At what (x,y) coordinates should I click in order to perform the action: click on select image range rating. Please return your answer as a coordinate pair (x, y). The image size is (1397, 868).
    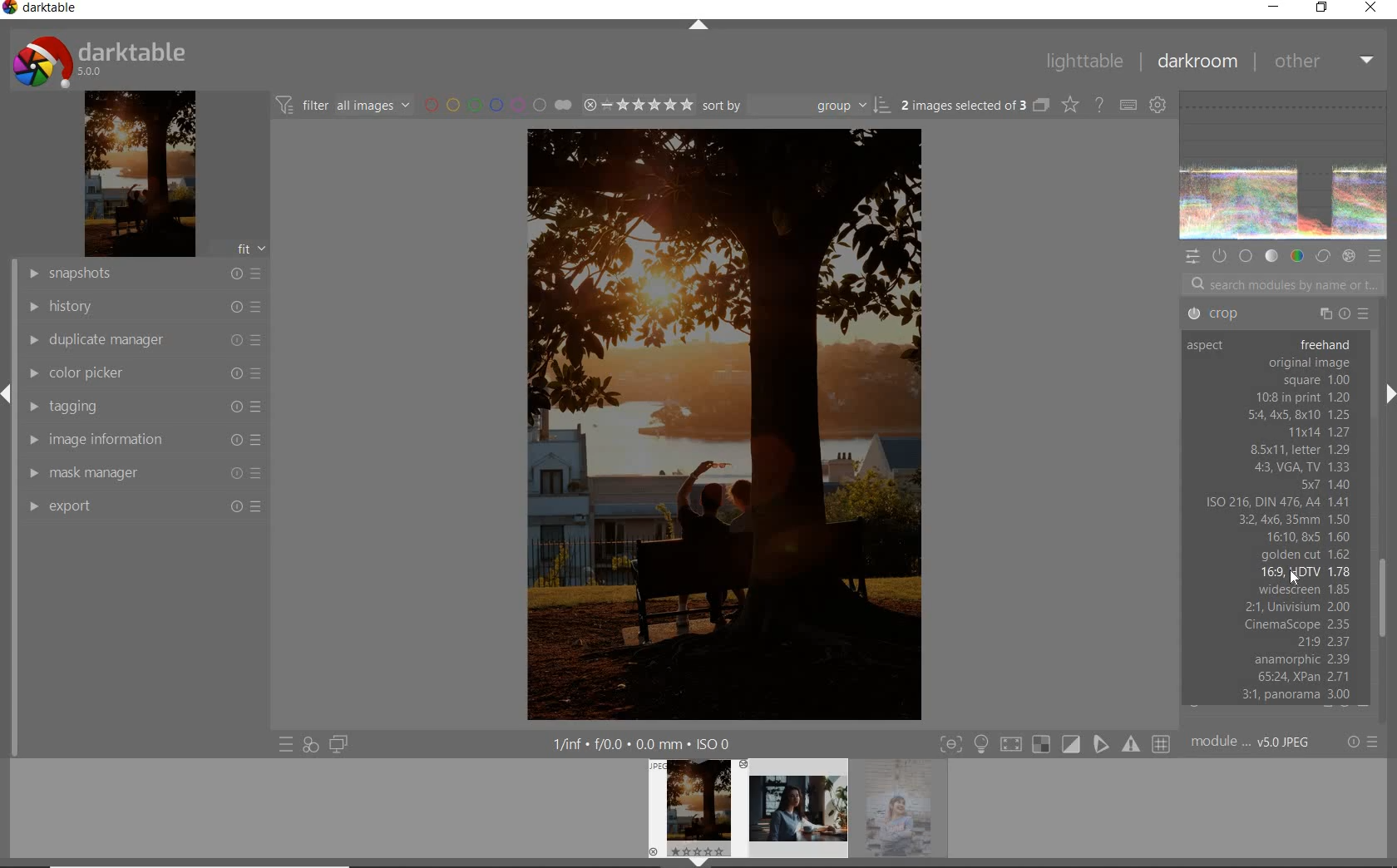
    Looking at the image, I should click on (635, 105).